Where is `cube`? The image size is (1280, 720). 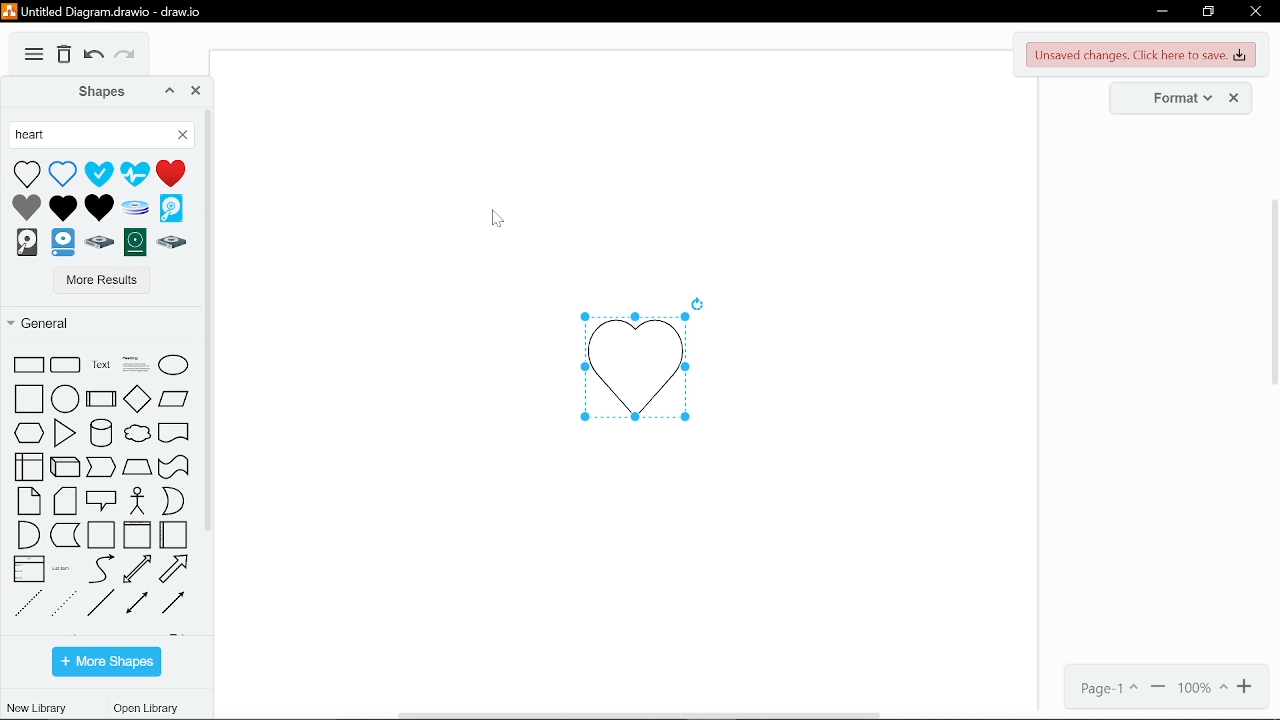 cube is located at coordinates (65, 467).